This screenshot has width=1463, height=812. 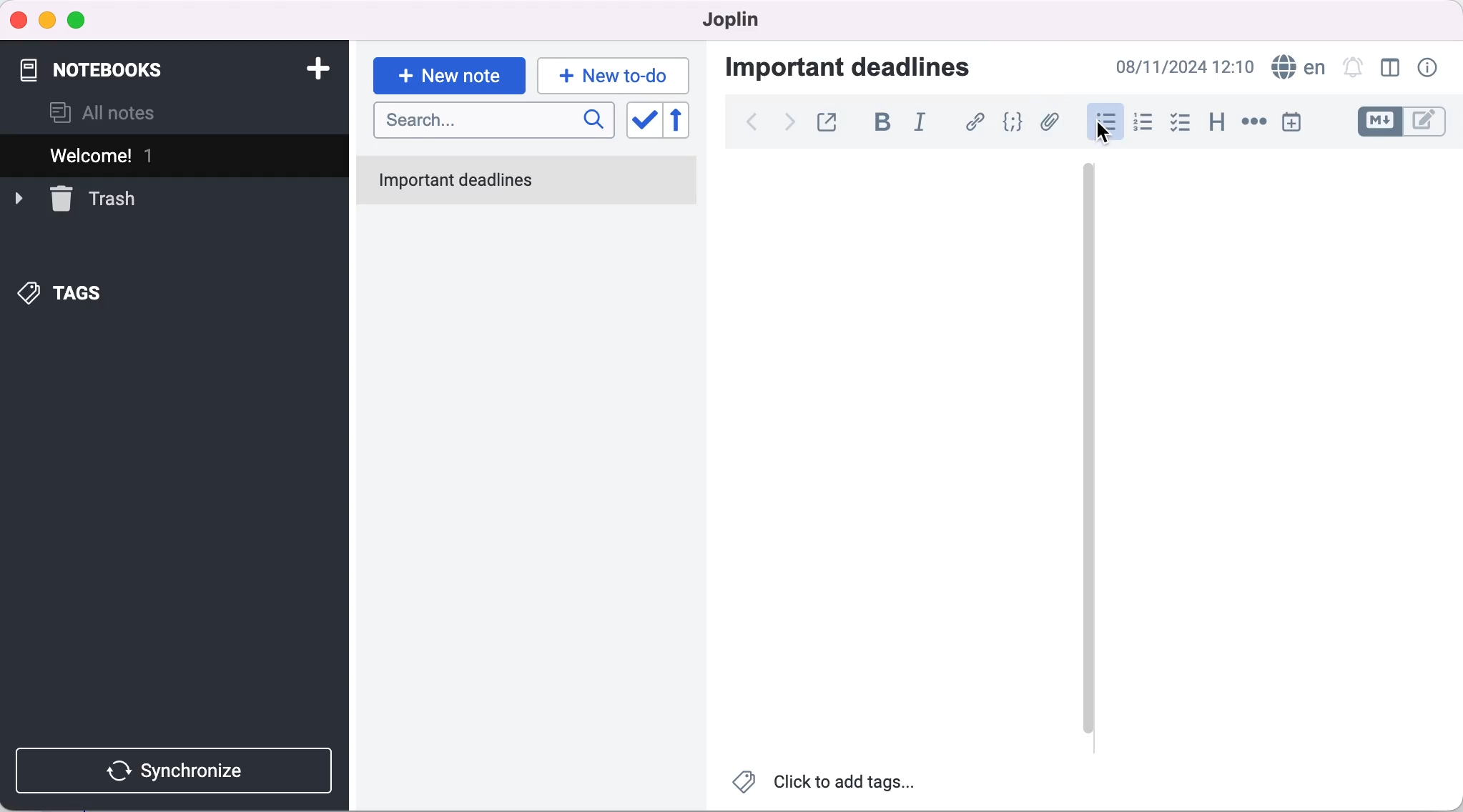 What do you see at coordinates (1187, 66) in the screenshot?
I see `time and date` at bounding box center [1187, 66].